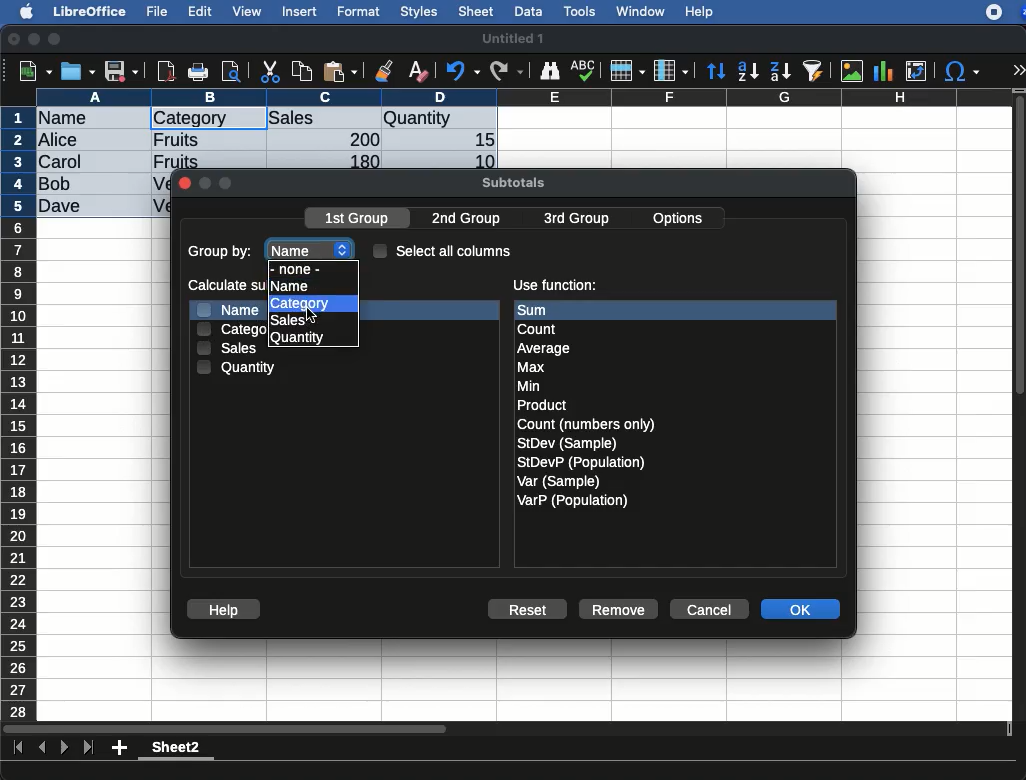 The image size is (1026, 780). I want to click on chart, so click(884, 71).